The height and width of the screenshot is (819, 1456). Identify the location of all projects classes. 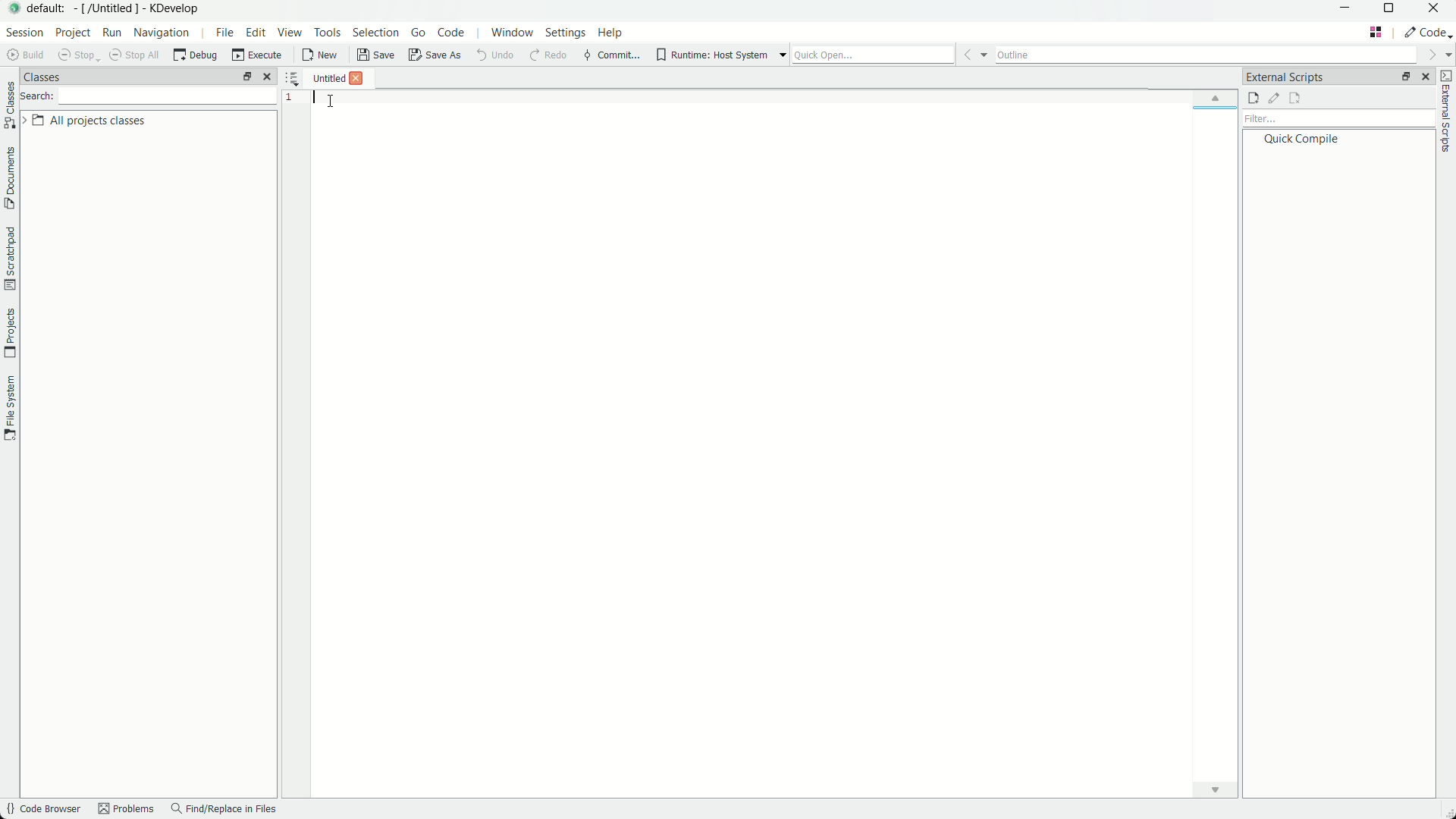
(88, 121).